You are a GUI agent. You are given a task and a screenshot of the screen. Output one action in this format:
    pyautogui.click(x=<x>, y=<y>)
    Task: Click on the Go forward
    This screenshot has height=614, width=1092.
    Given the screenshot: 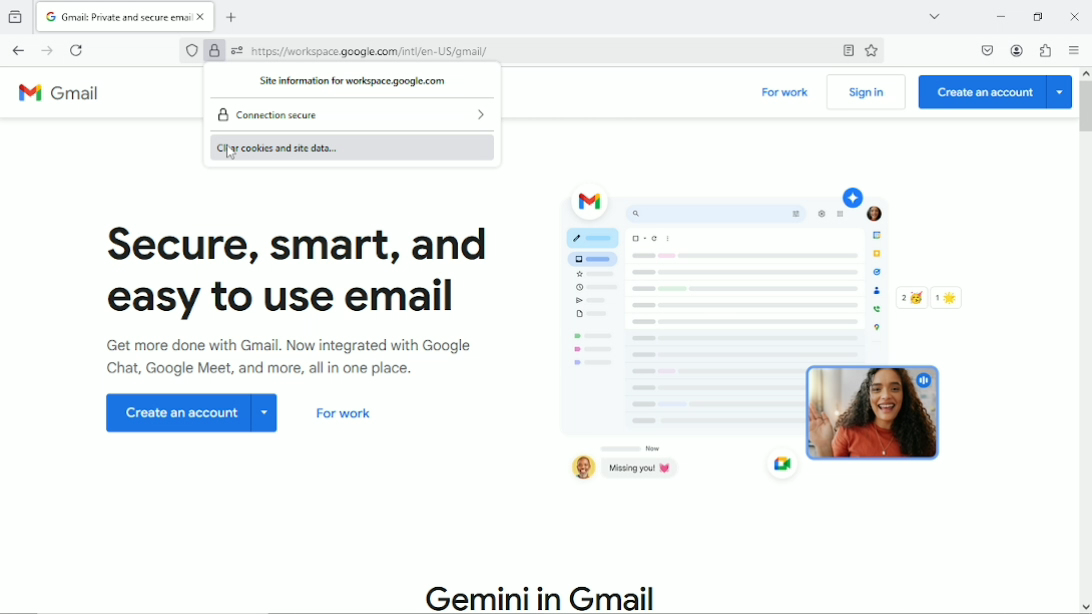 What is the action you would take?
    pyautogui.click(x=47, y=51)
    